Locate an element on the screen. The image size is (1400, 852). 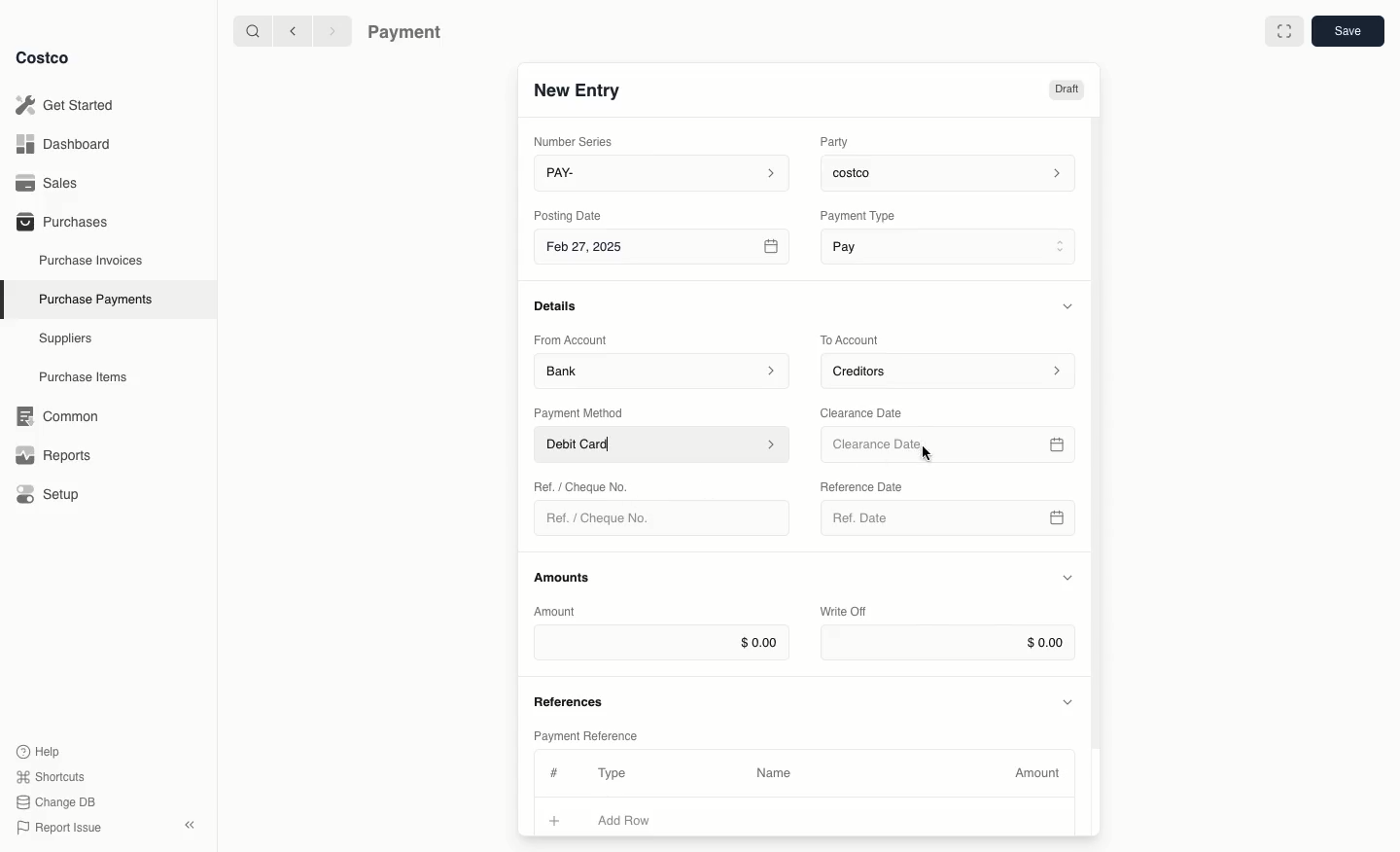
‘Common is located at coordinates (61, 413).